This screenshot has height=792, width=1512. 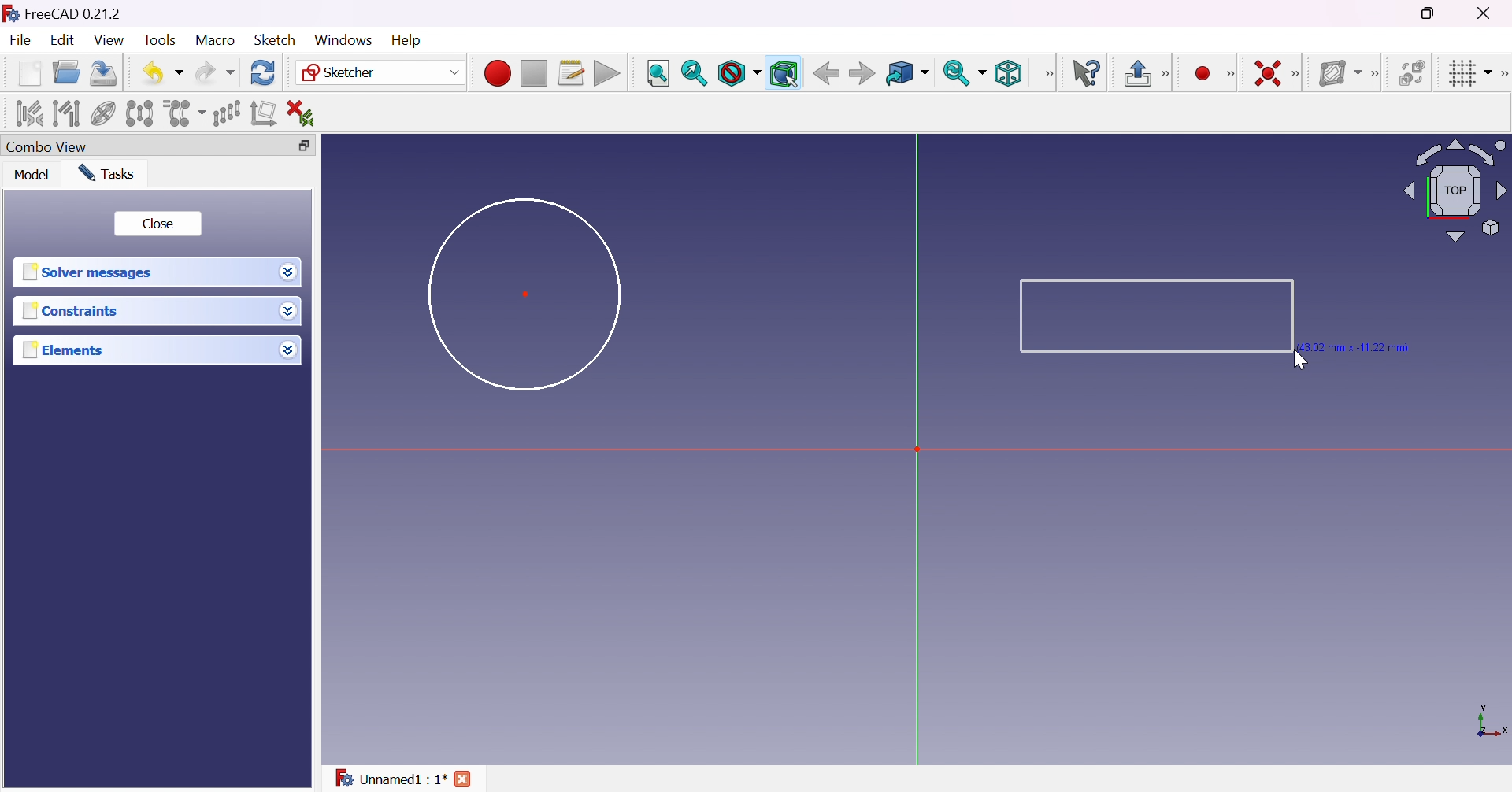 I want to click on Macros, so click(x=572, y=73).